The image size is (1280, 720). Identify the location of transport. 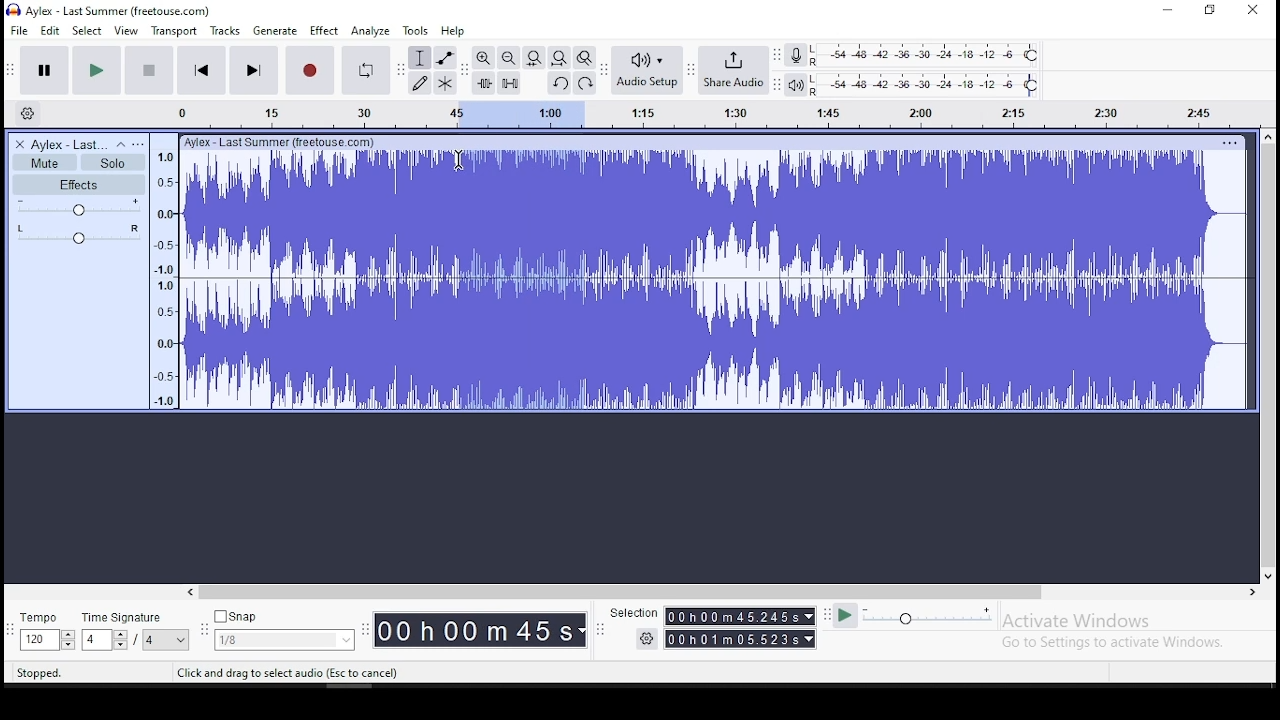
(173, 30).